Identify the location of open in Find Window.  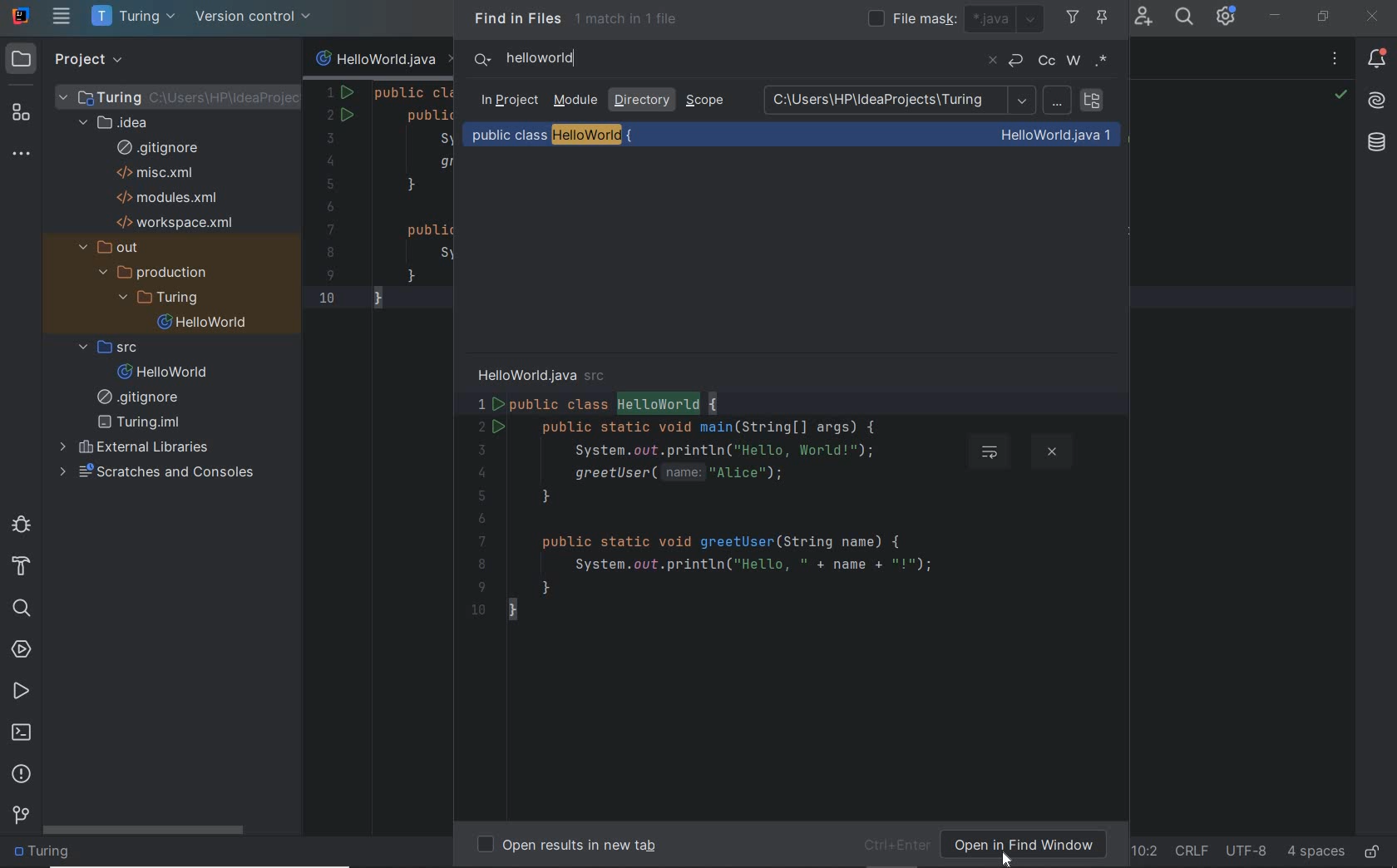
(1024, 836).